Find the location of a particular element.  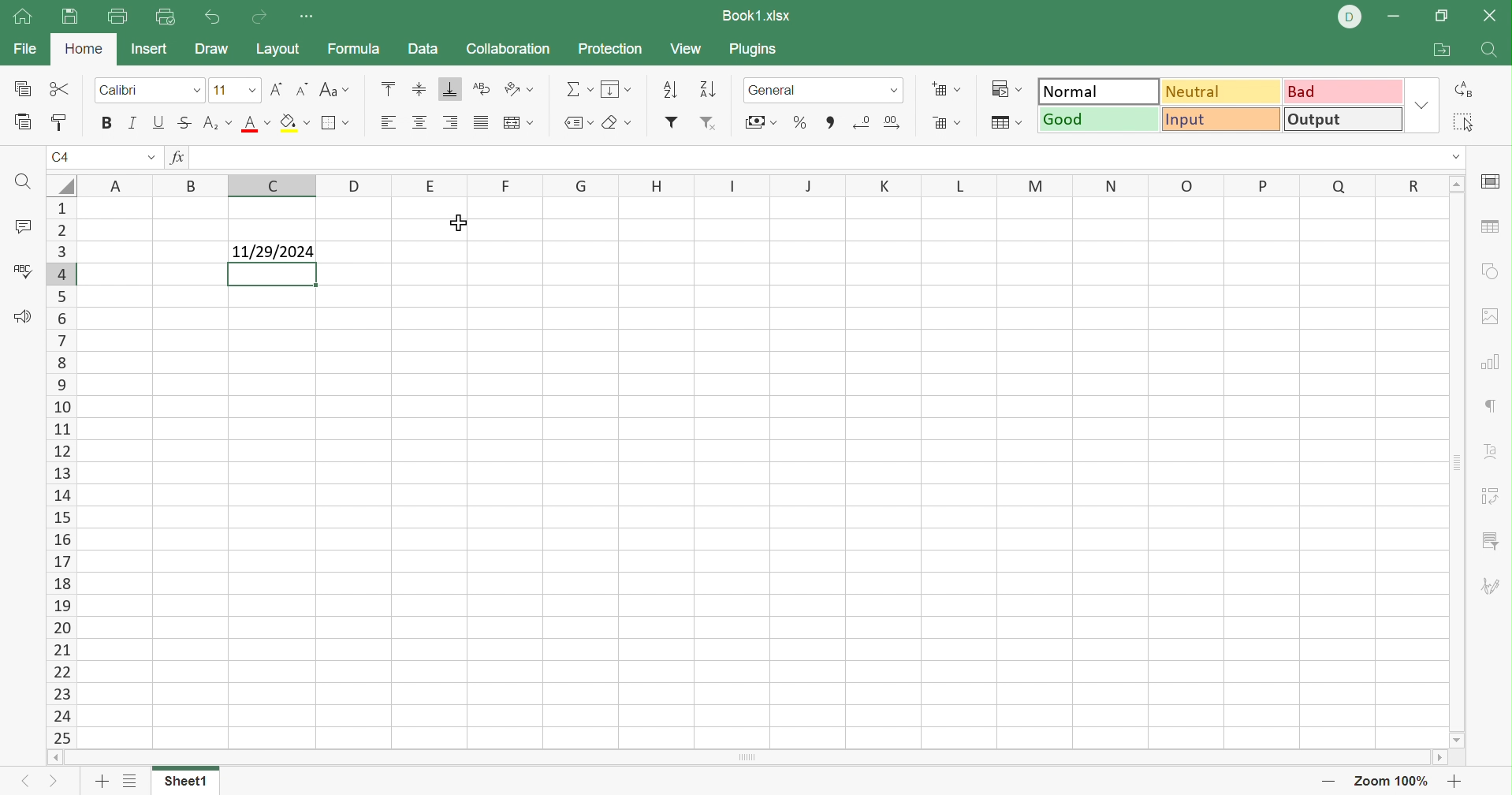

Add sheet is located at coordinates (102, 784).